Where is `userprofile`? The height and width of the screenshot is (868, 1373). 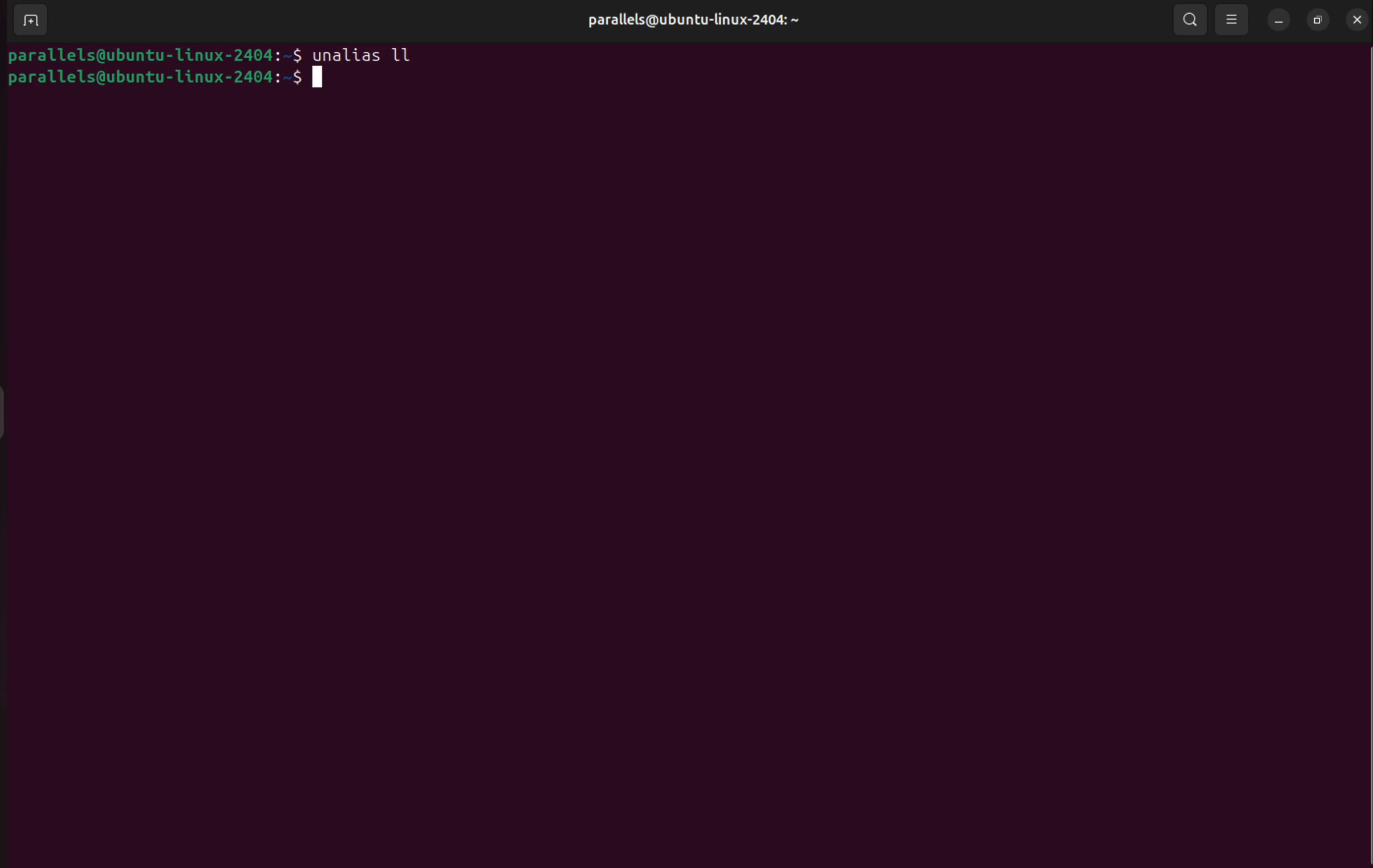 userprofile is located at coordinates (692, 22).